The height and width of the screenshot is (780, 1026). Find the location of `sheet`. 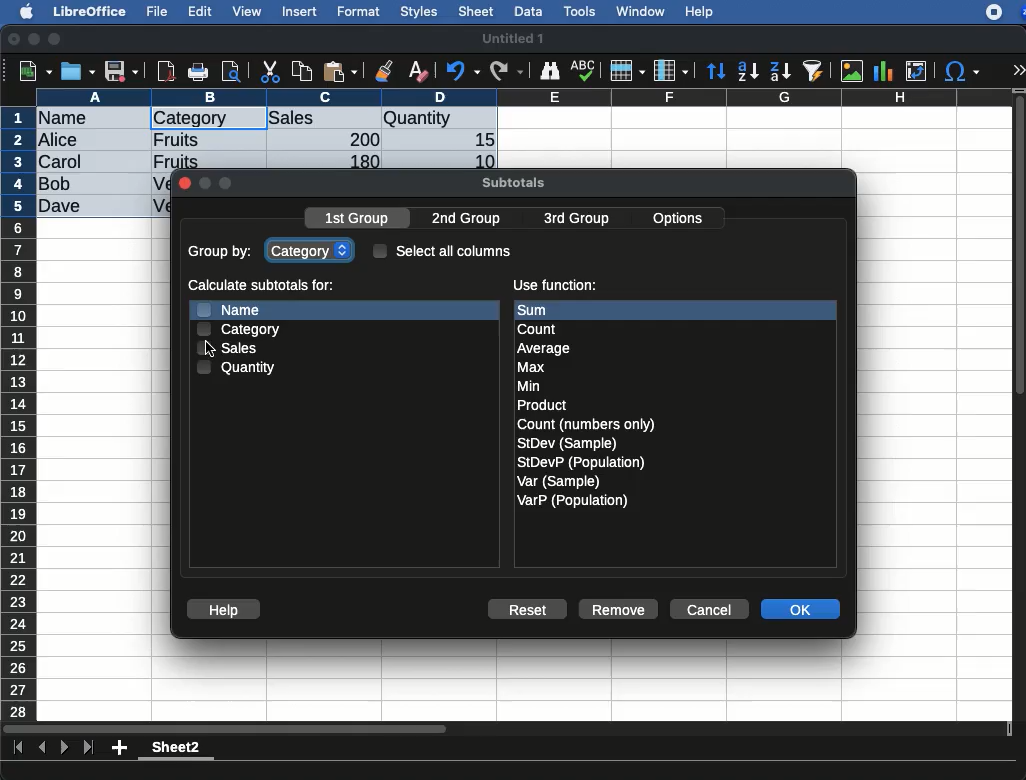

sheet is located at coordinates (477, 11).